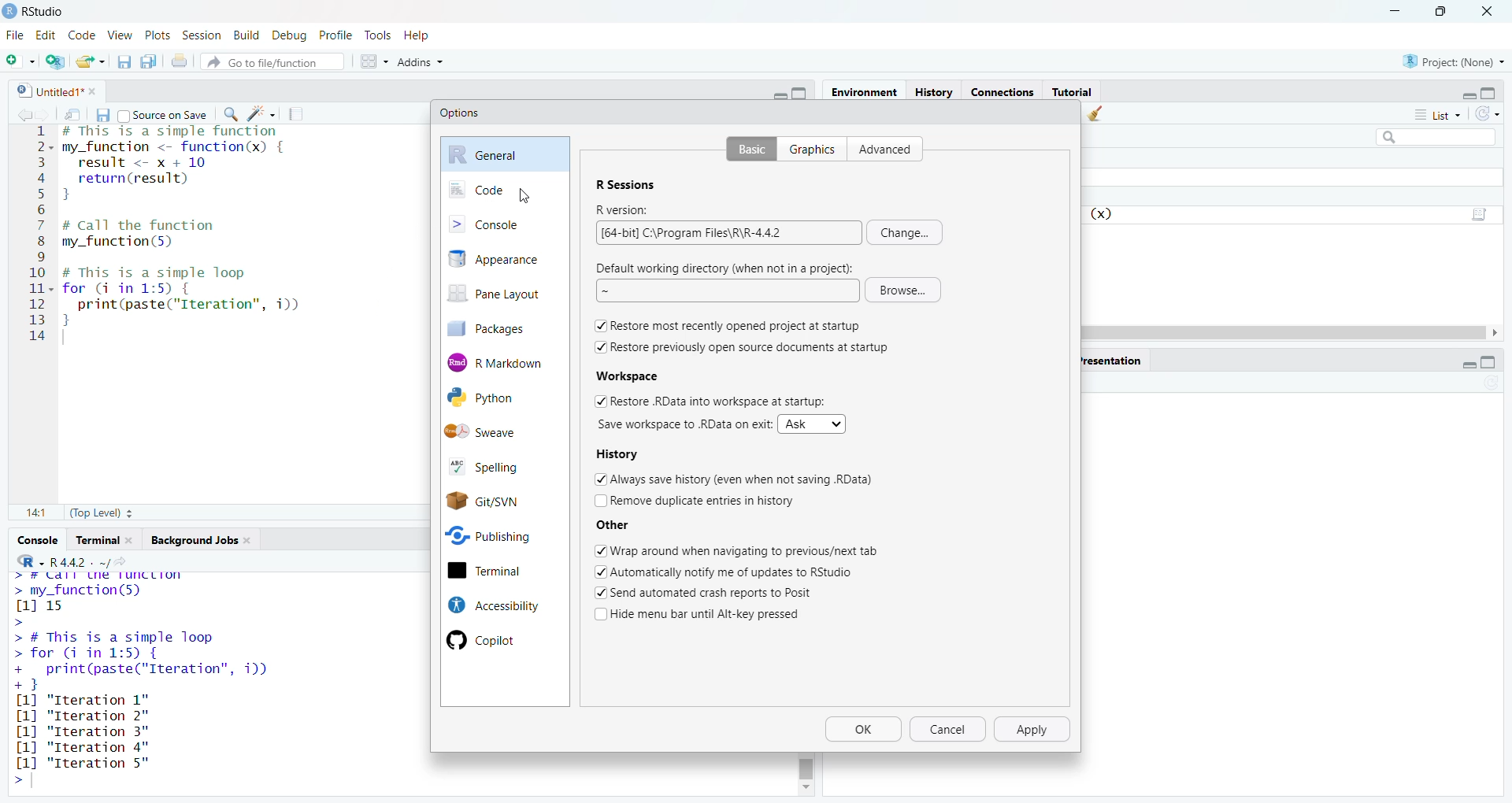  Describe the element at coordinates (906, 290) in the screenshot. I see `Browse` at that location.